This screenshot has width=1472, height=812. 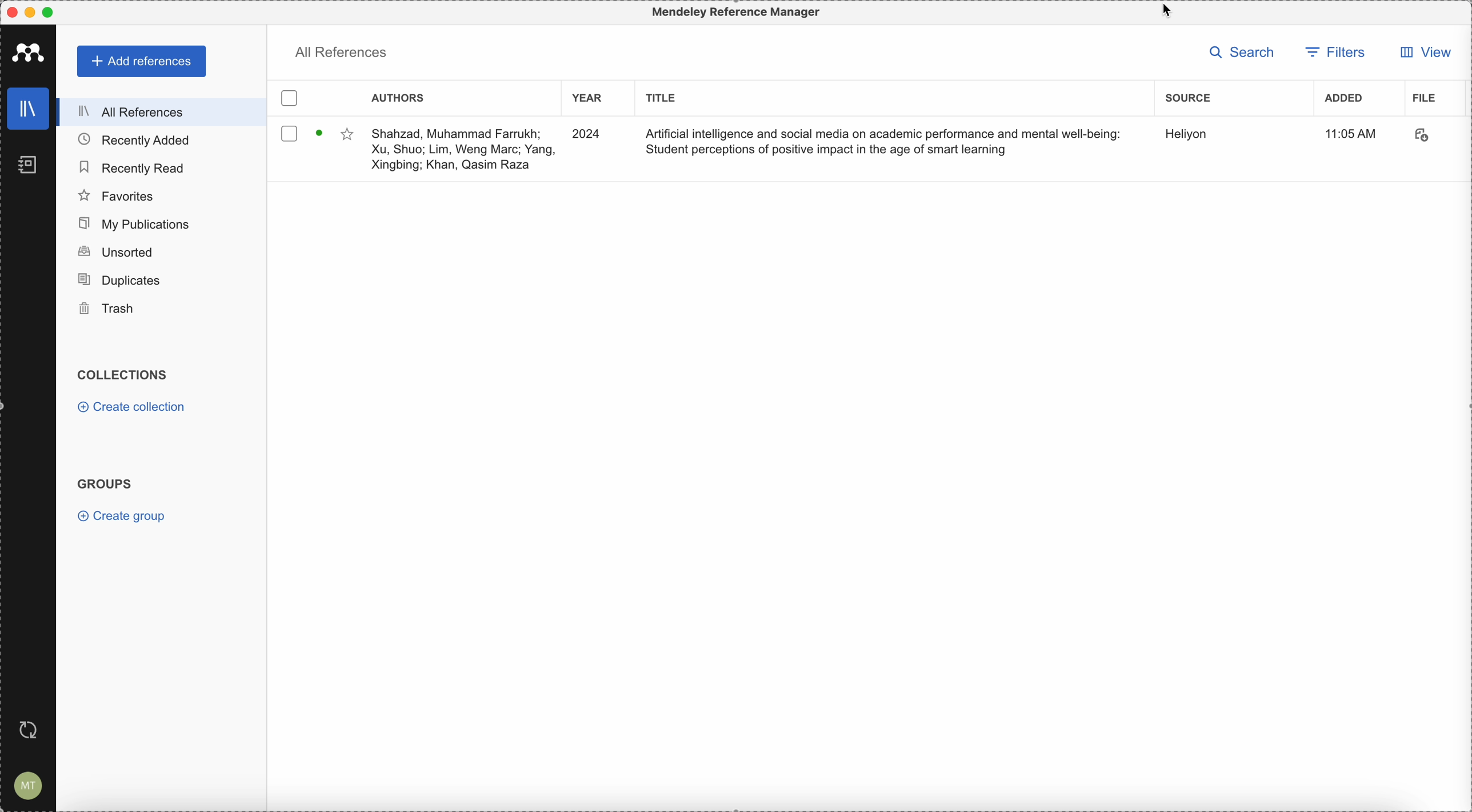 What do you see at coordinates (591, 98) in the screenshot?
I see `year` at bounding box center [591, 98].